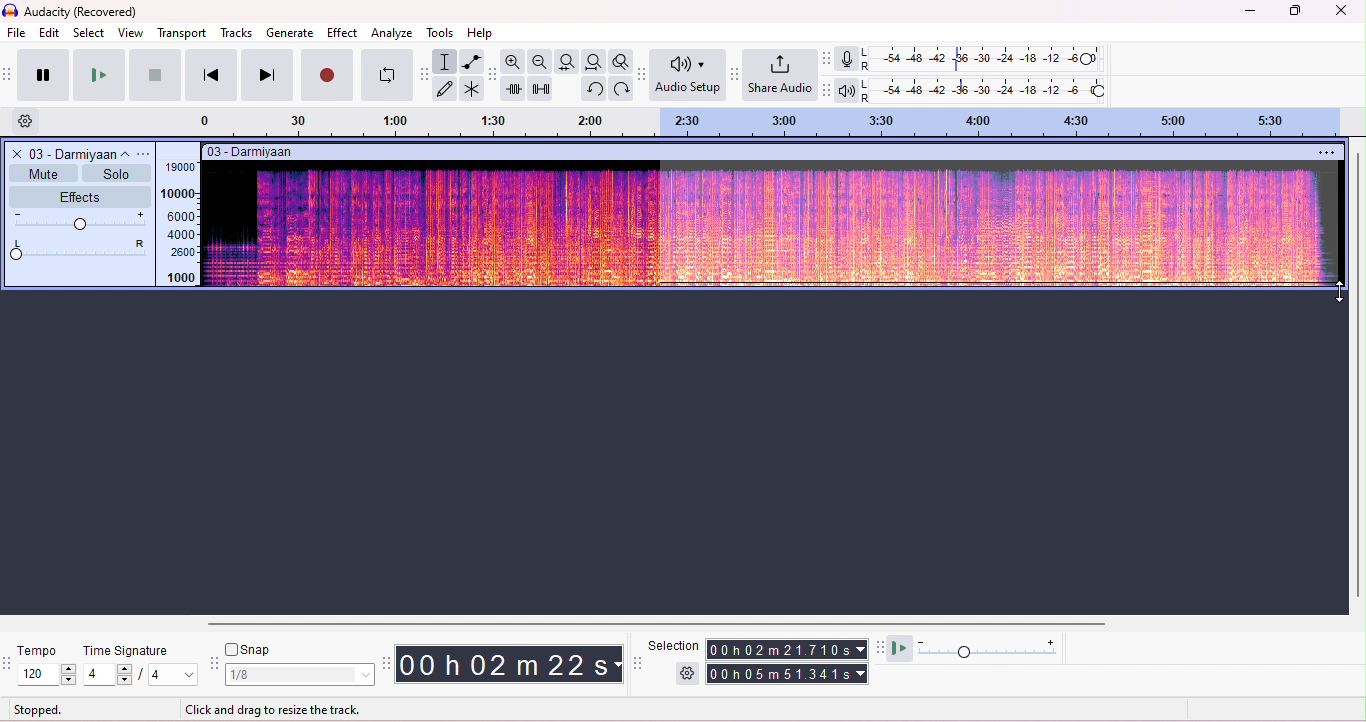  I want to click on mute, so click(42, 173).